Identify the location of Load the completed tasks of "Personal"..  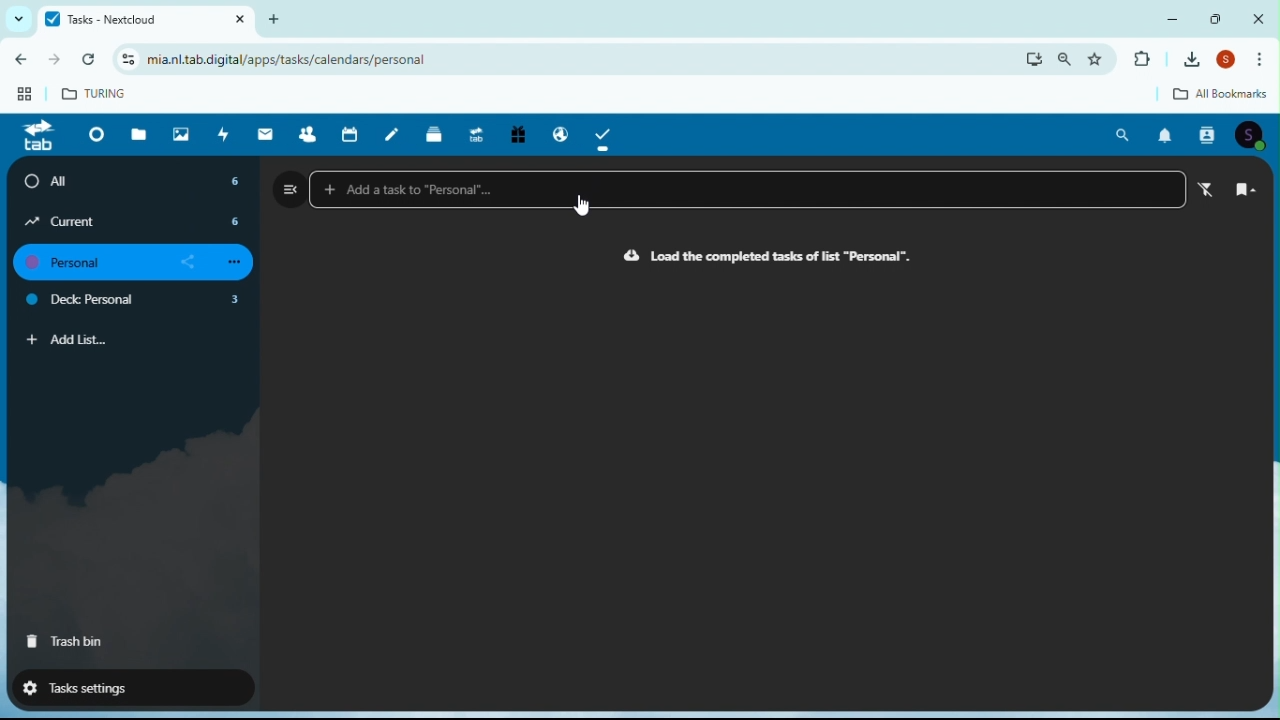
(768, 257).